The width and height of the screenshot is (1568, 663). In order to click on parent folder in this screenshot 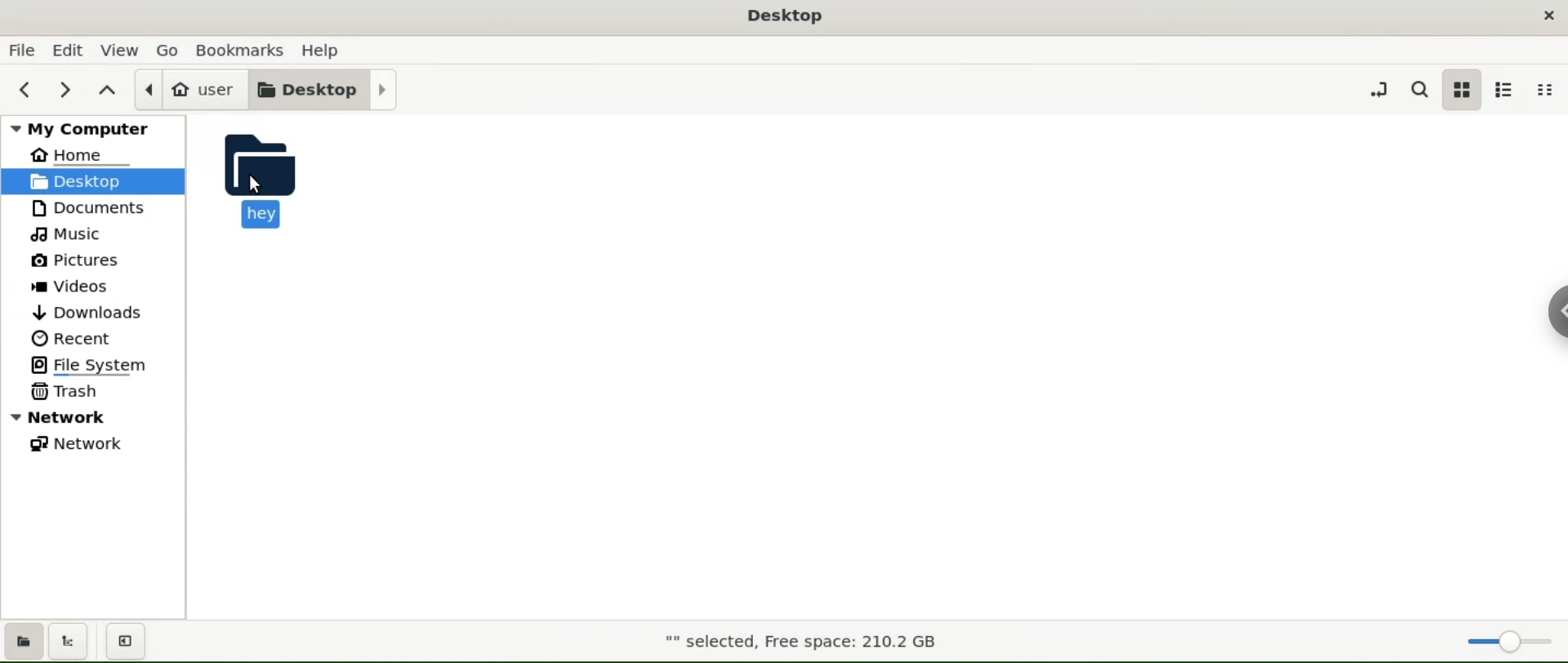, I will do `click(109, 87)`.